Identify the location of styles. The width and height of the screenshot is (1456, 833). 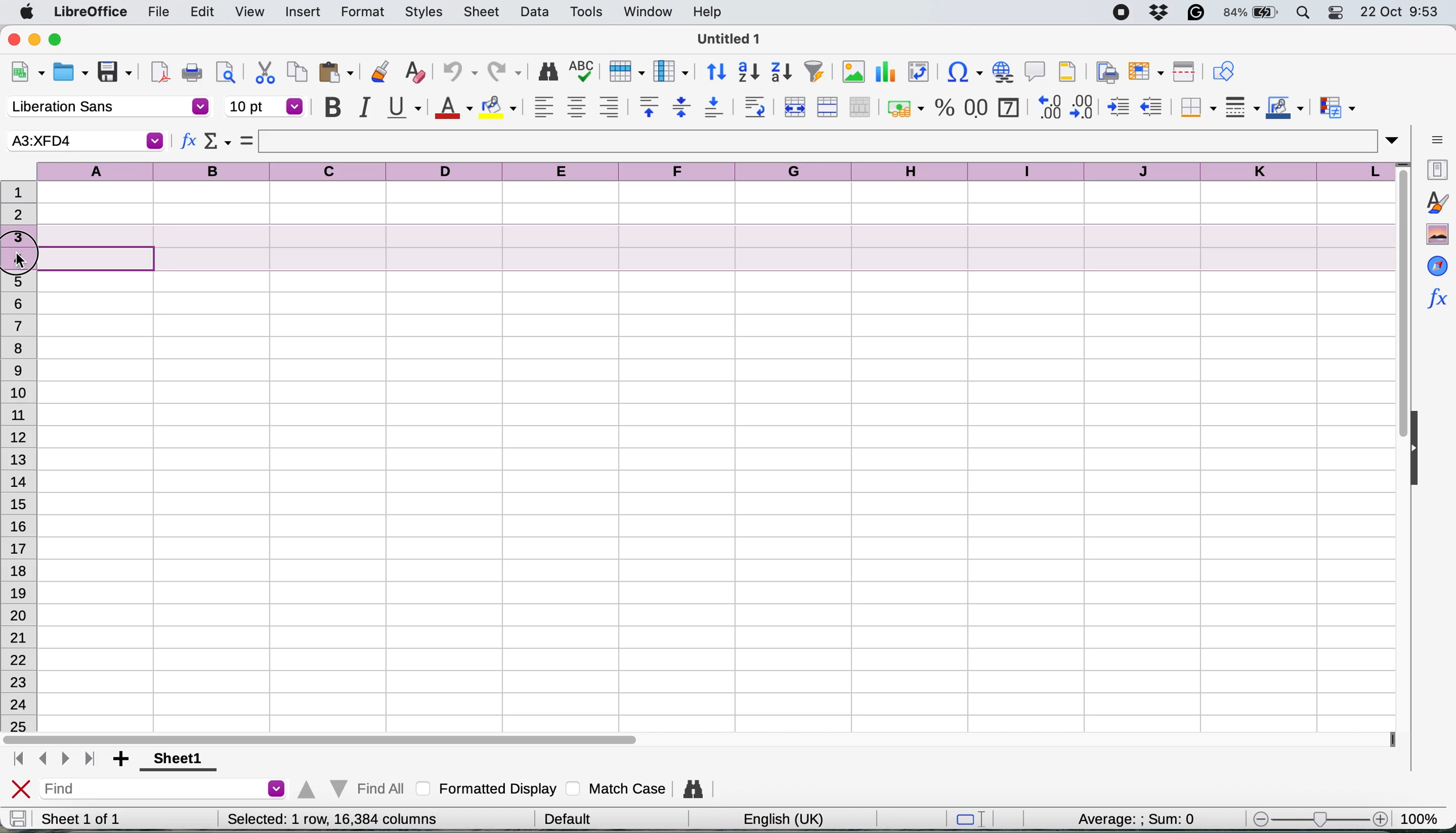
(424, 13).